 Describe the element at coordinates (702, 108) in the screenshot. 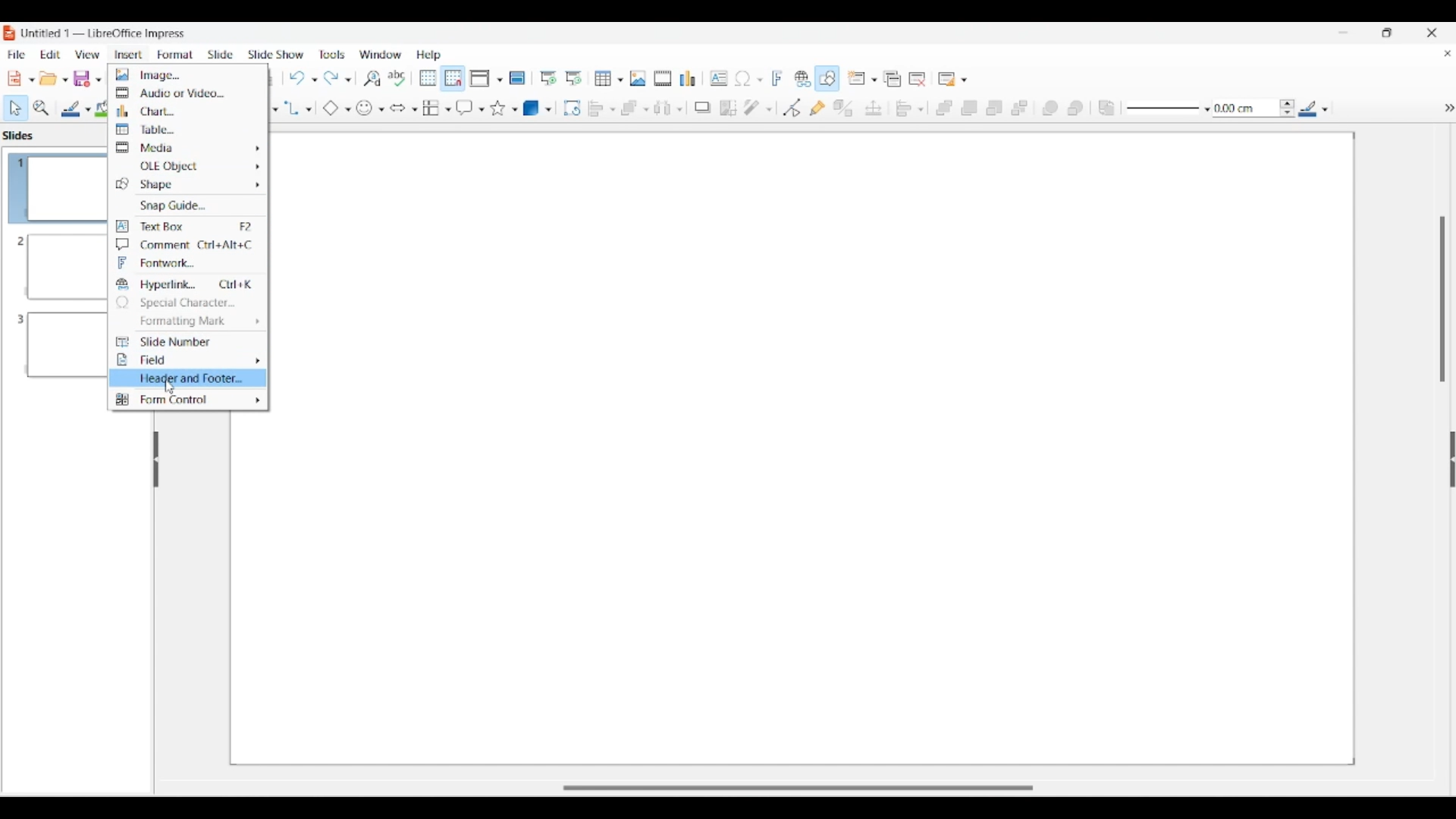

I see `Shadow` at that location.